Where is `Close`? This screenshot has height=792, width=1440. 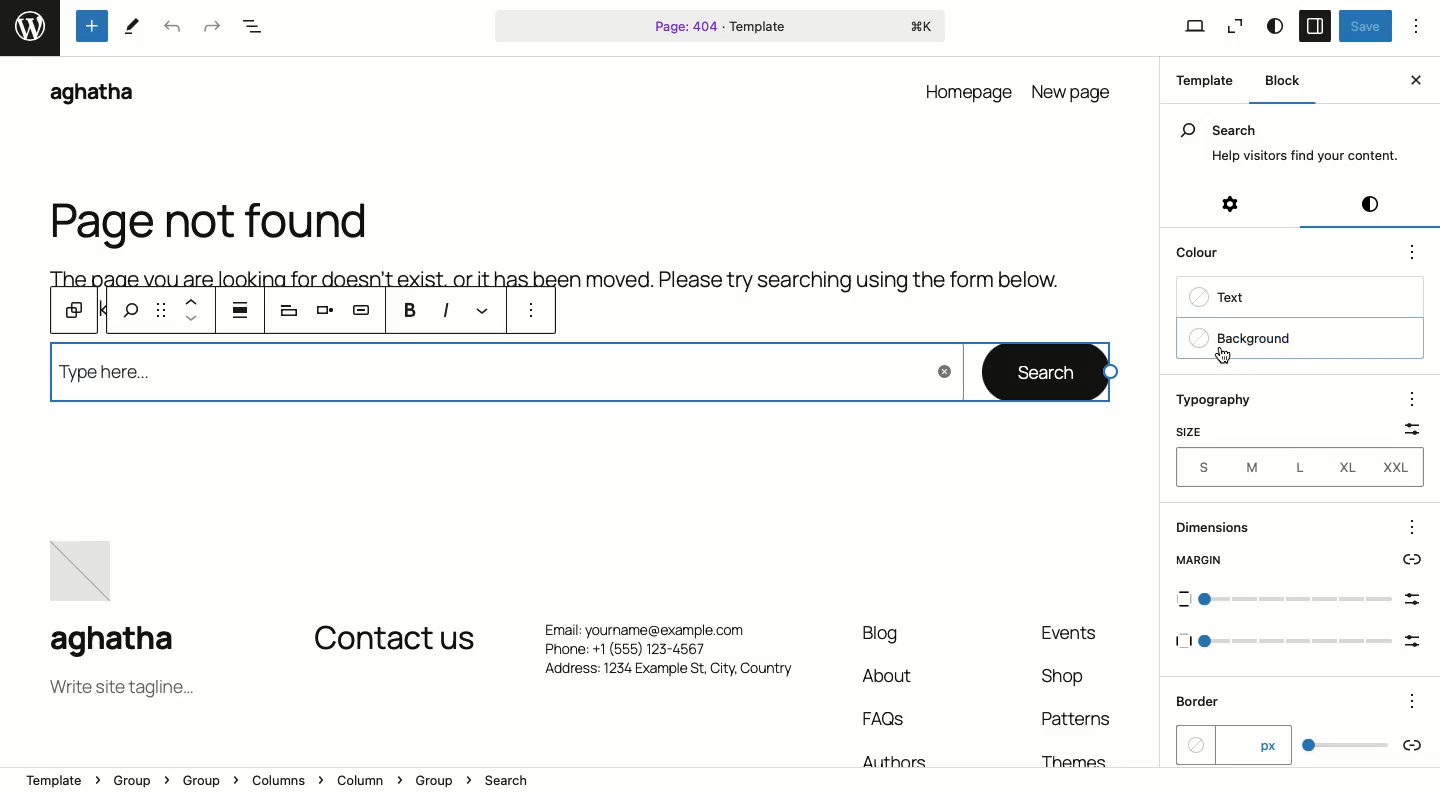 Close is located at coordinates (1418, 81).